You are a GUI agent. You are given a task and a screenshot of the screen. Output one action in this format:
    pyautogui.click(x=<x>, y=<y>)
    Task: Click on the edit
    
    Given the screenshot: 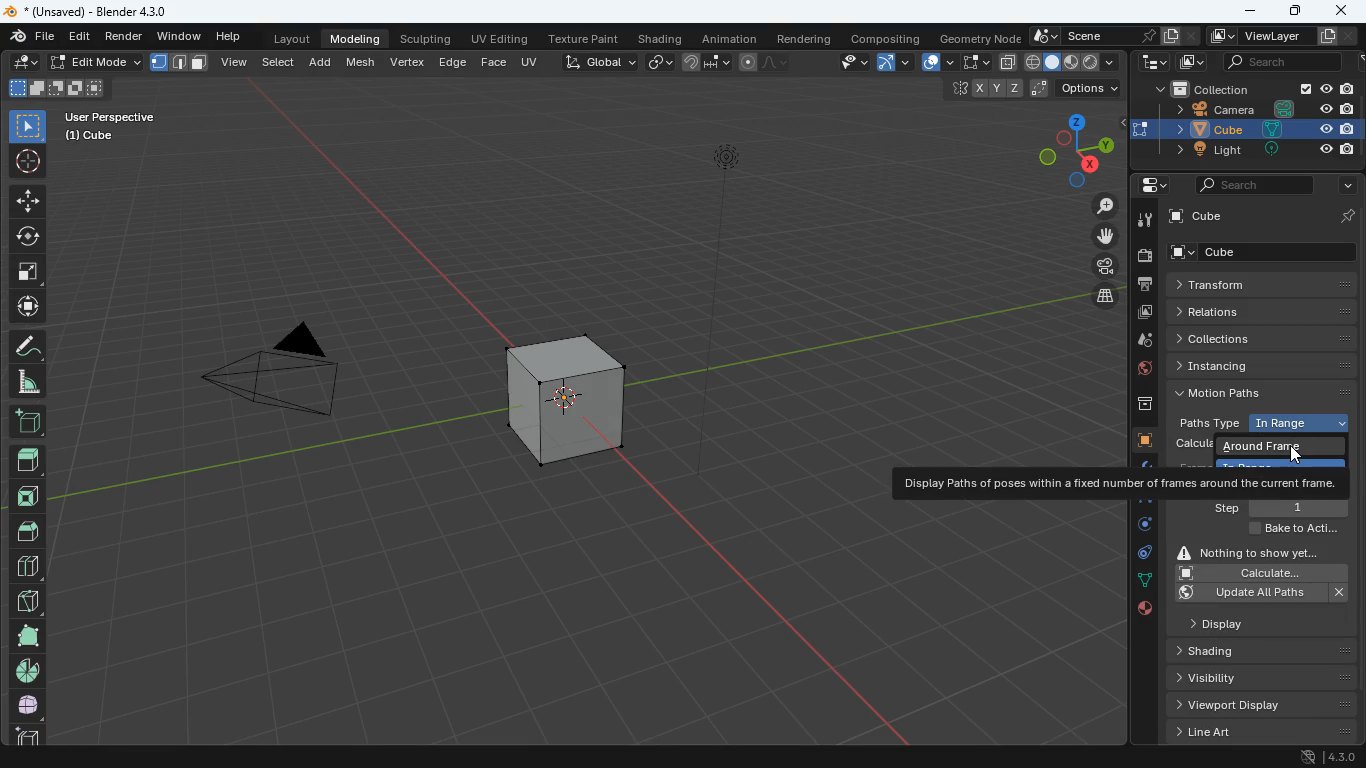 What is the action you would take?
    pyautogui.click(x=79, y=38)
    